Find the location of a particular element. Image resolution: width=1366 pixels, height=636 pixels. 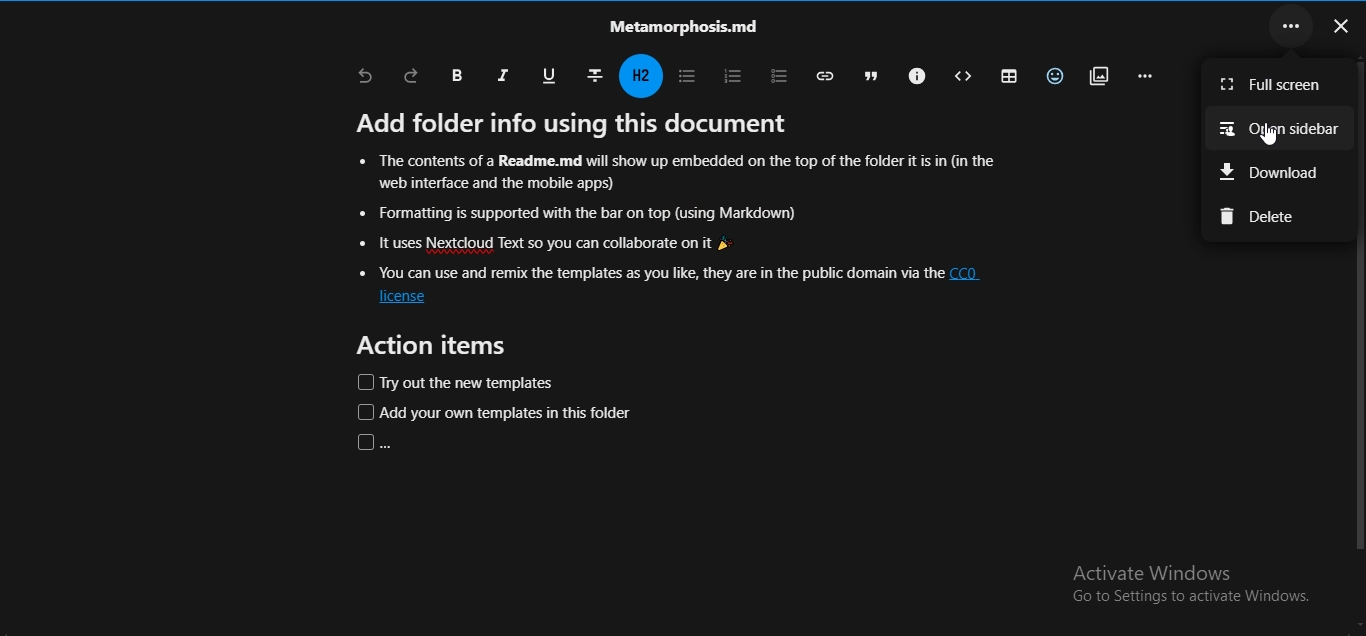

to do list is located at coordinates (776, 73).